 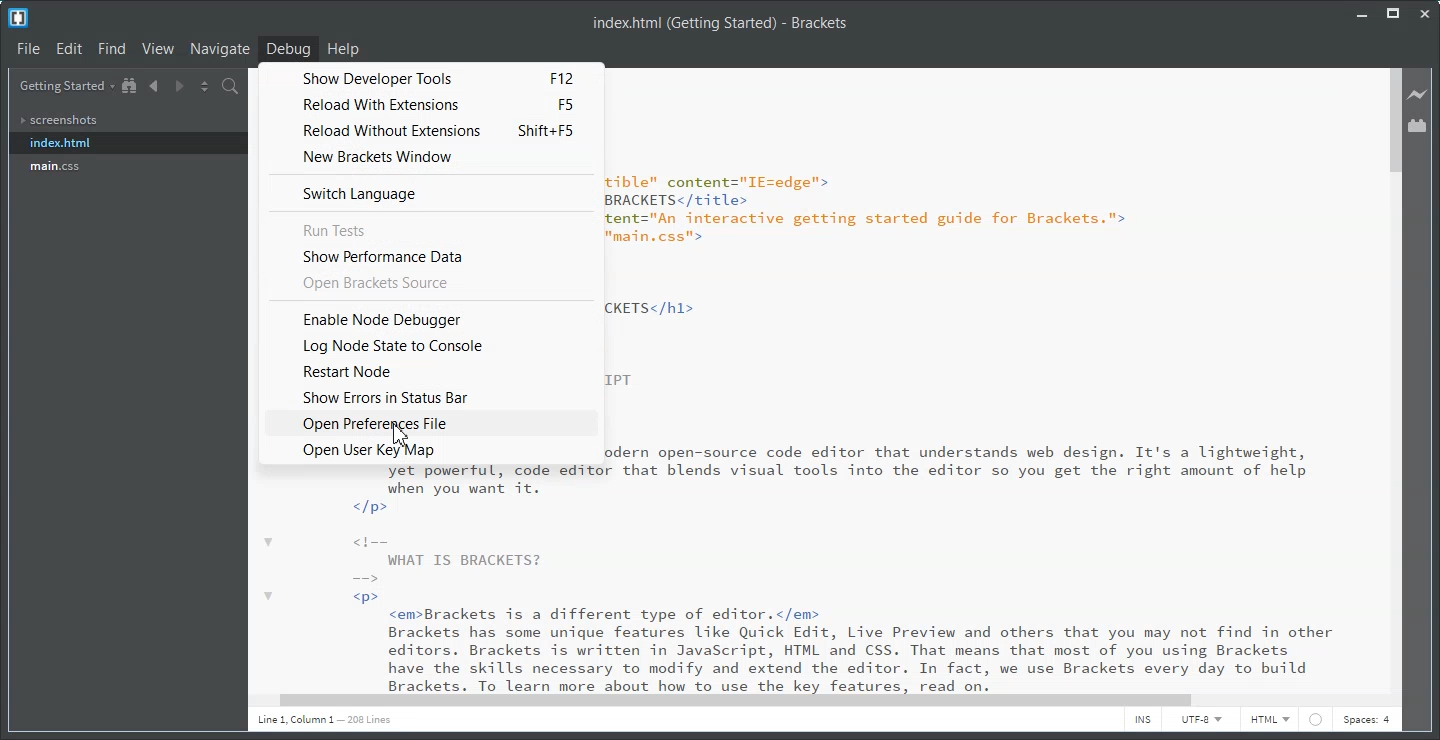 What do you see at coordinates (427, 227) in the screenshot?
I see `Run Tests` at bounding box center [427, 227].